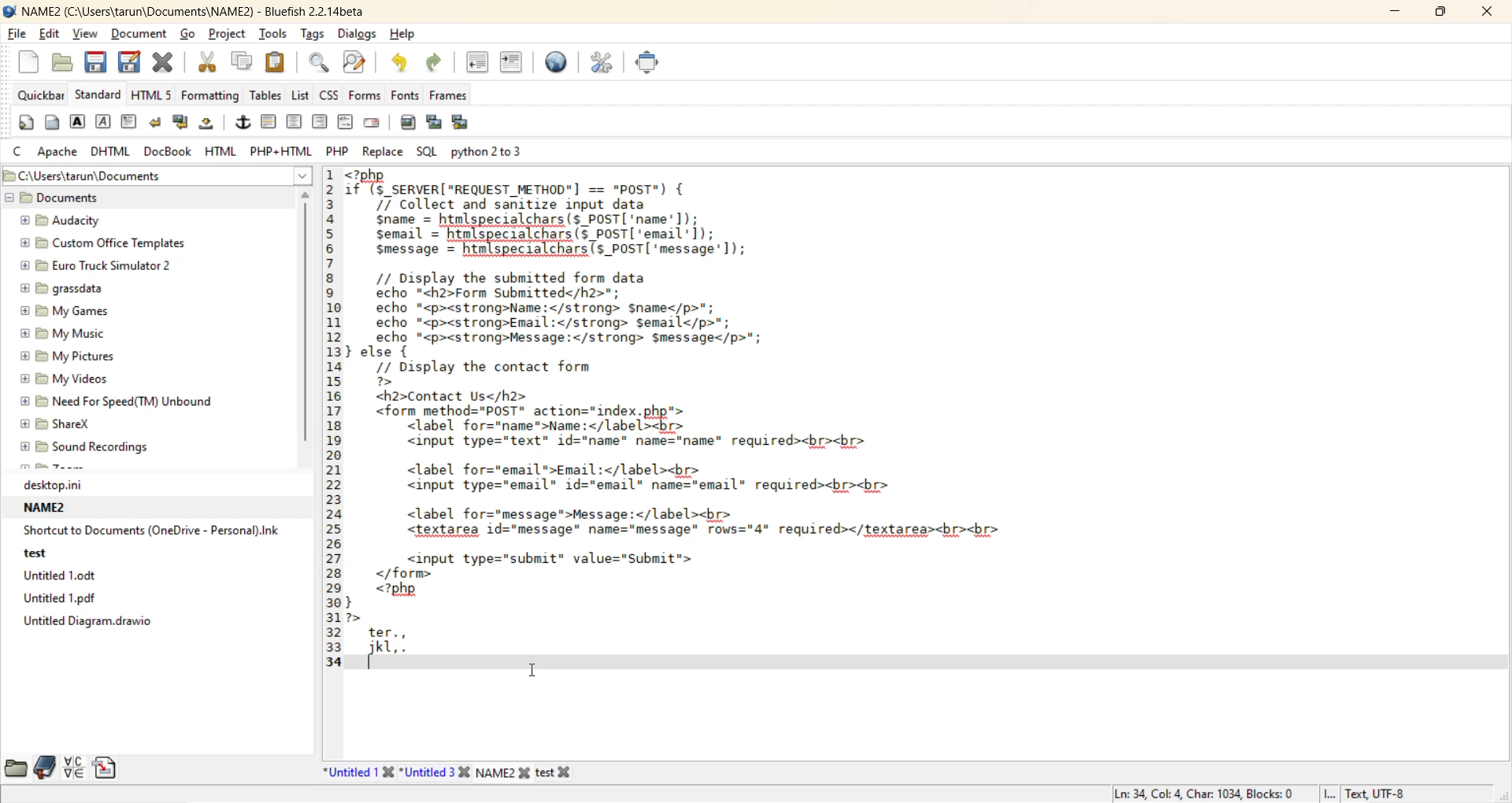 This screenshot has width=1512, height=803. Describe the element at coordinates (319, 121) in the screenshot. I see `right justify` at that location.